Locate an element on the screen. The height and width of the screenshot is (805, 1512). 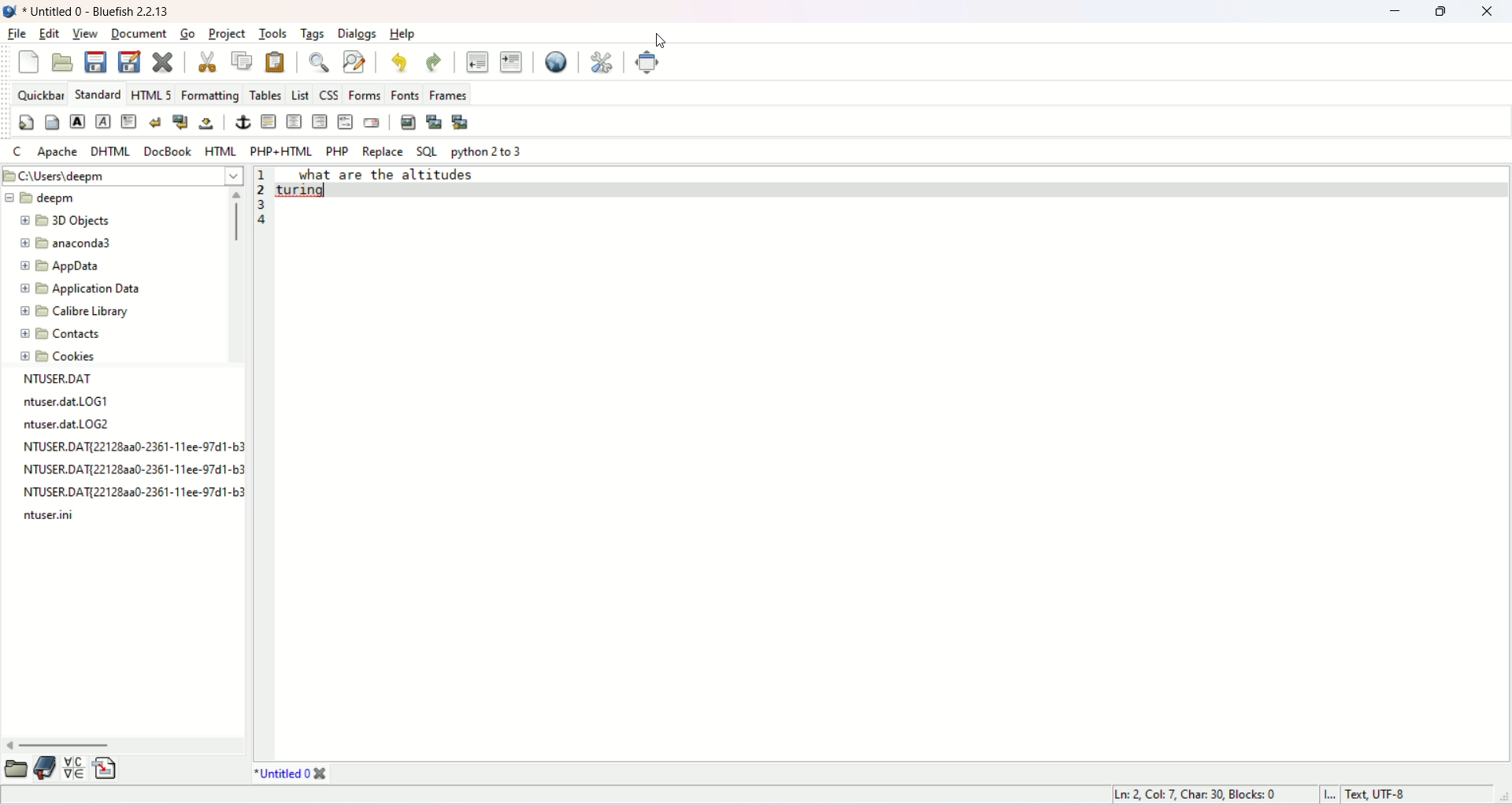
unindent is located at coordinates (479, 61).